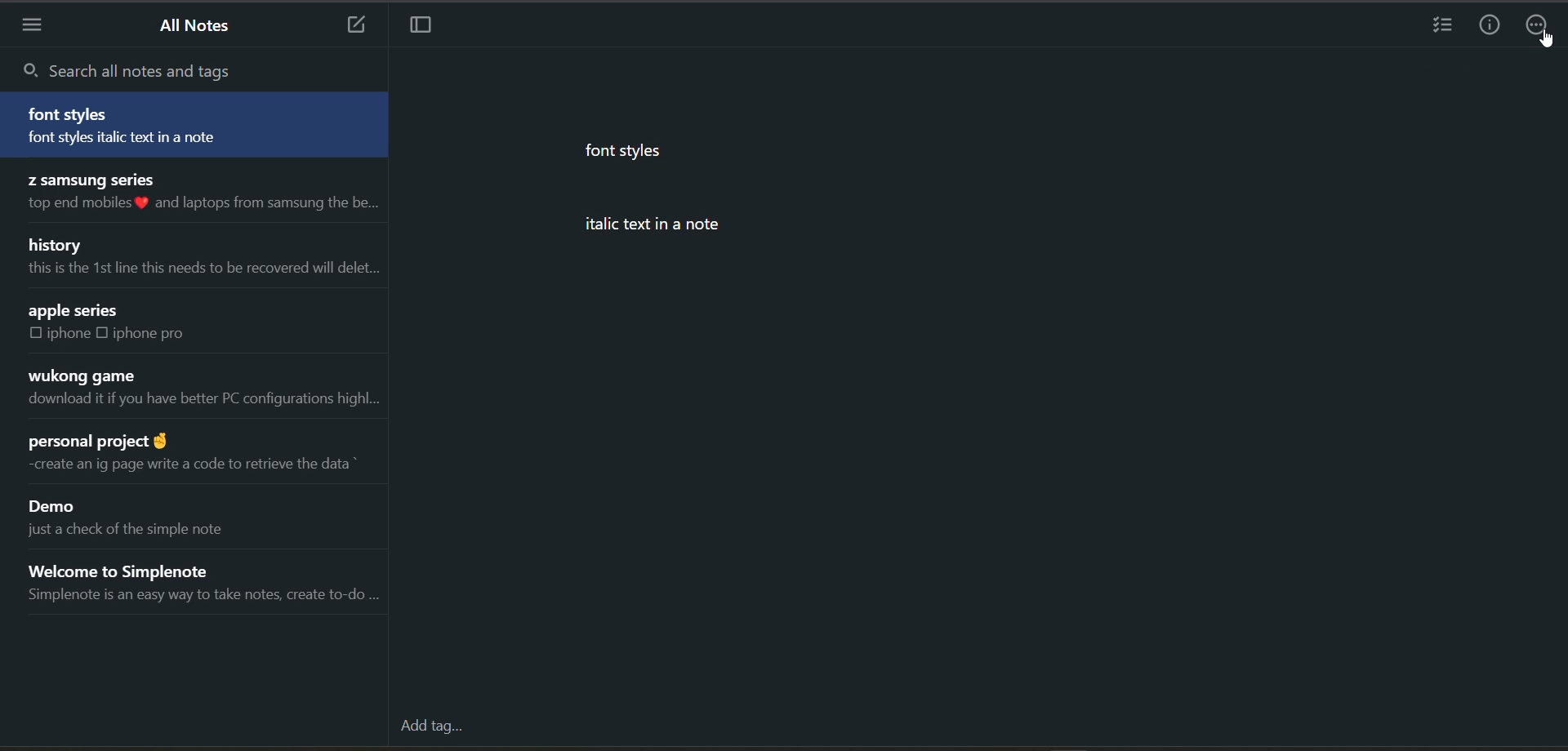 The width and height of the screenshot is (1568, 751). What do you see at coordinates (195, 124) in the screenshot?
I see `note title and preview` at bounding box center [195, 124].